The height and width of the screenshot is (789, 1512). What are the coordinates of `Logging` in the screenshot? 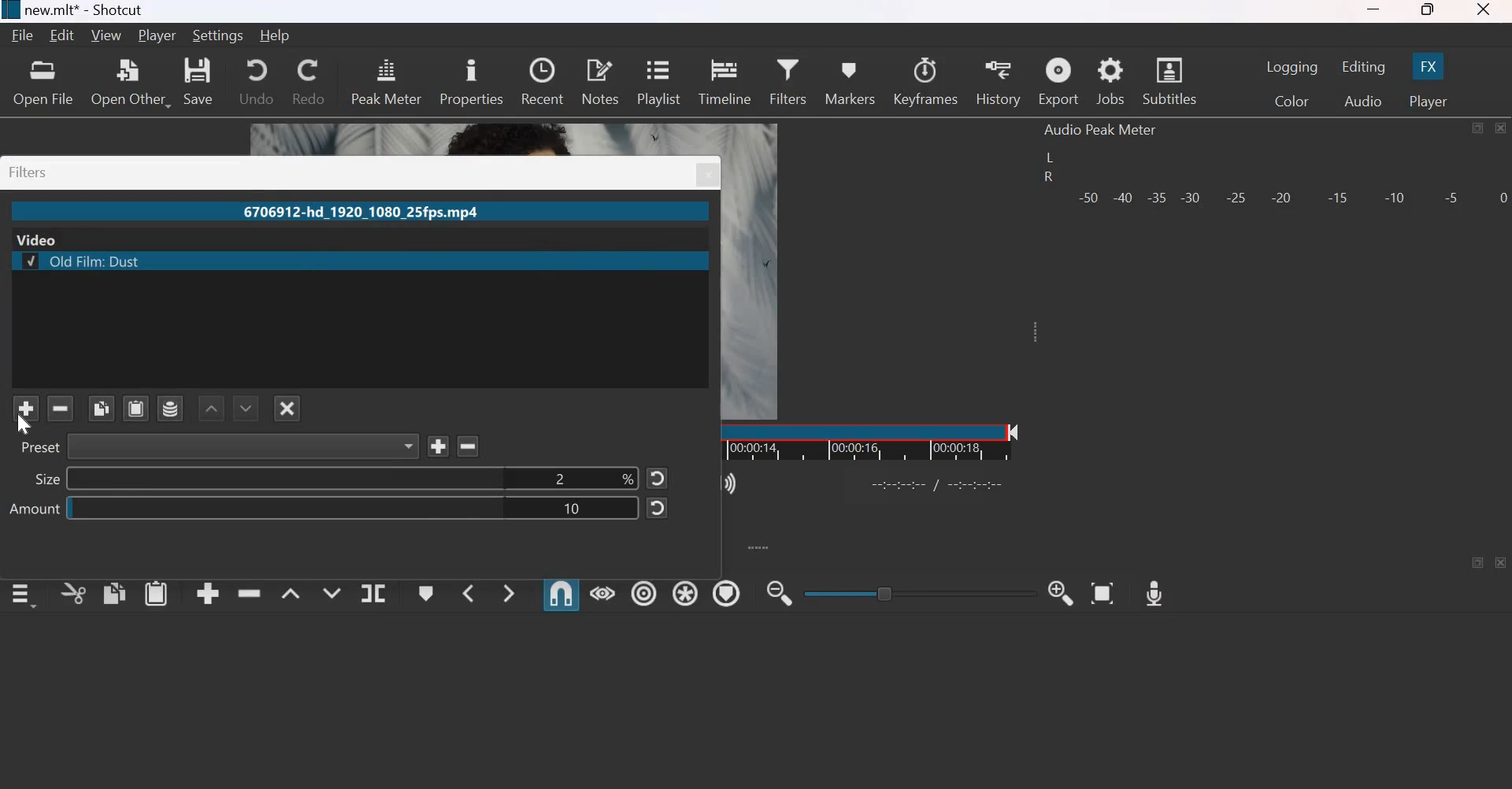 It's located at (1292, 67).